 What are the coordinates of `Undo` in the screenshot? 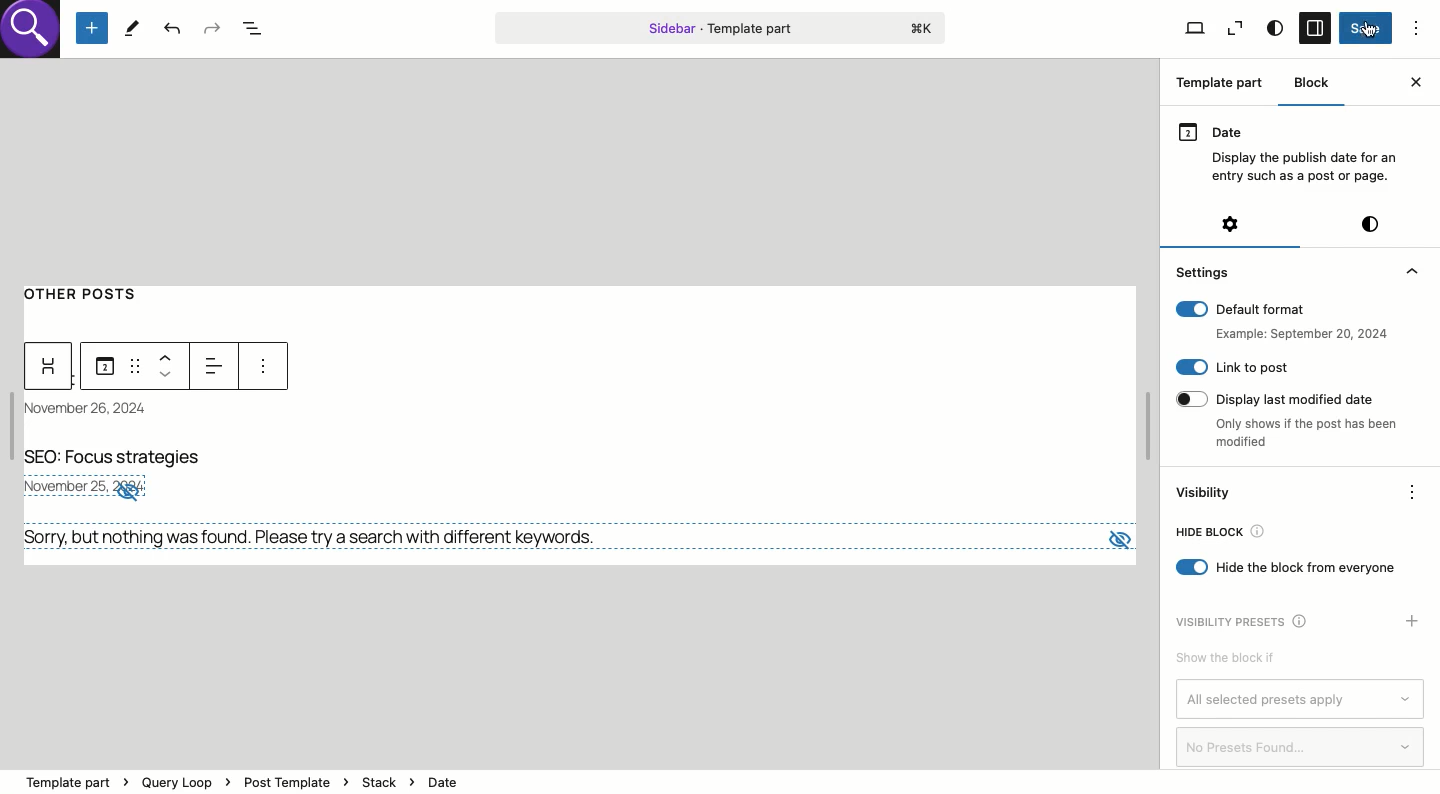 It's located at (173, 30).